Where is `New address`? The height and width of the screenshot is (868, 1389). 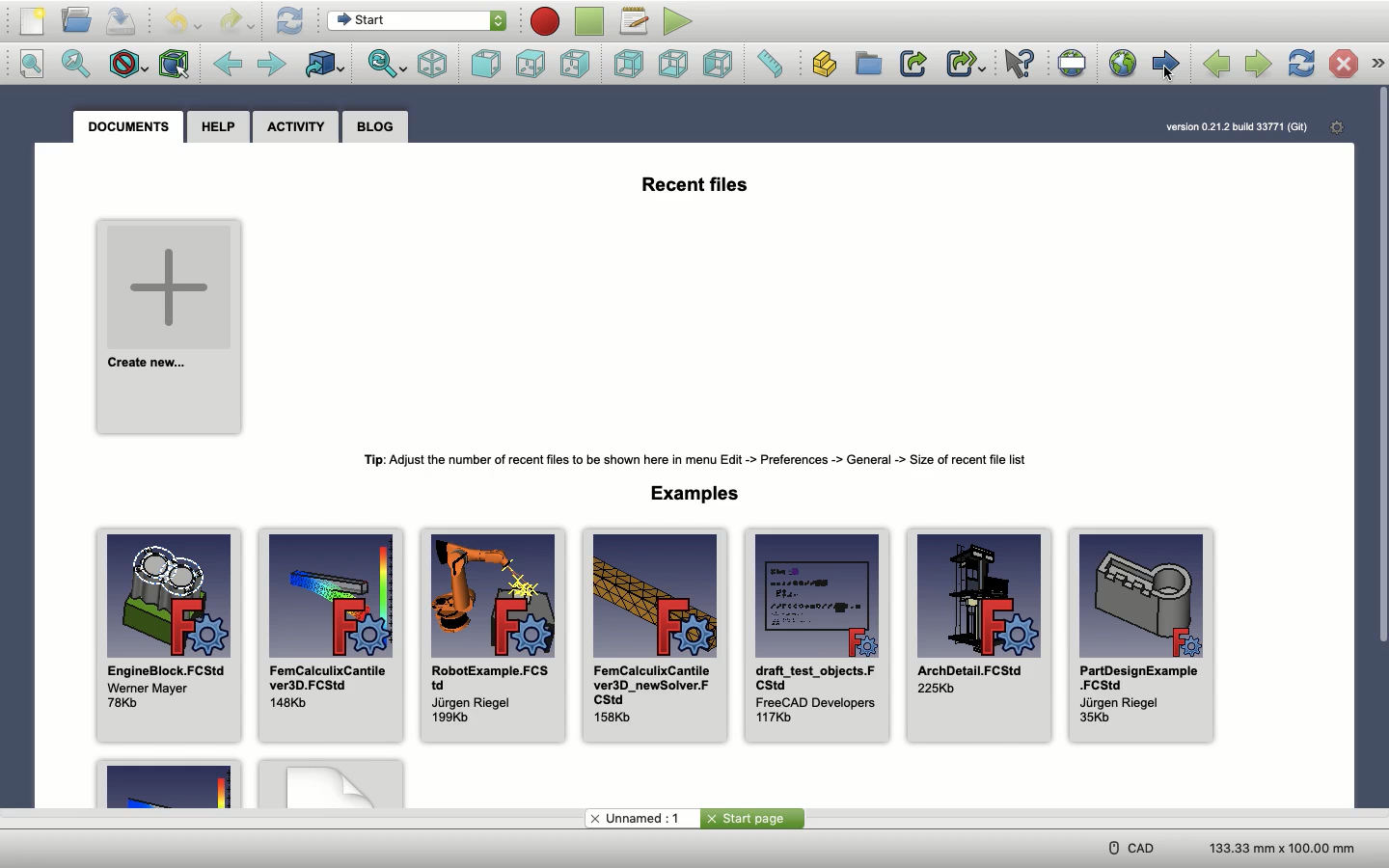
New address is located at coordinates (124, 847).